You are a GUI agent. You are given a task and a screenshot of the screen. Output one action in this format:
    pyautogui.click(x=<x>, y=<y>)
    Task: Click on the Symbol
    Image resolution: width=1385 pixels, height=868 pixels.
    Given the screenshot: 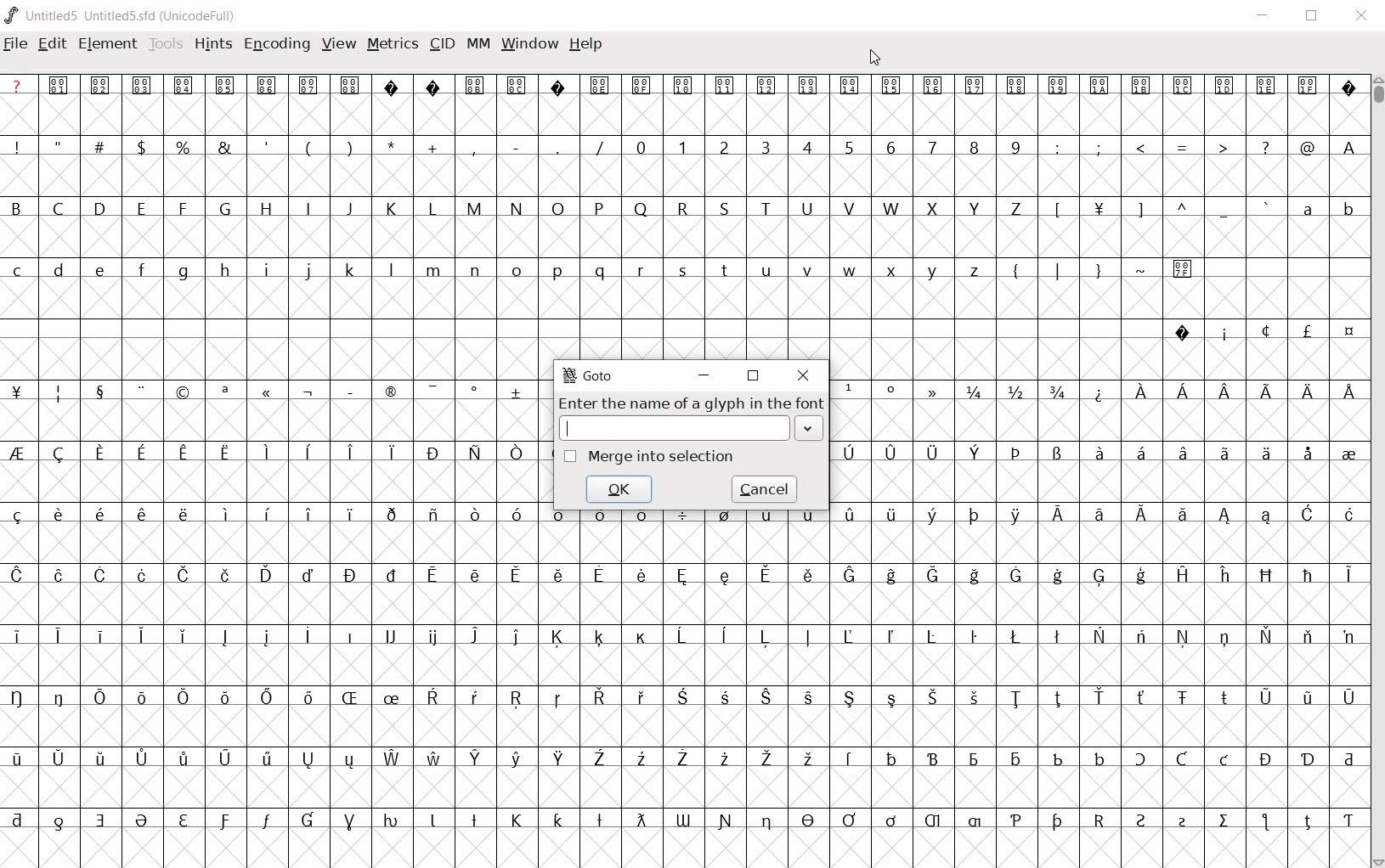 What is the action you would take?
    pyautogui.click(x=1143, y=699)
    